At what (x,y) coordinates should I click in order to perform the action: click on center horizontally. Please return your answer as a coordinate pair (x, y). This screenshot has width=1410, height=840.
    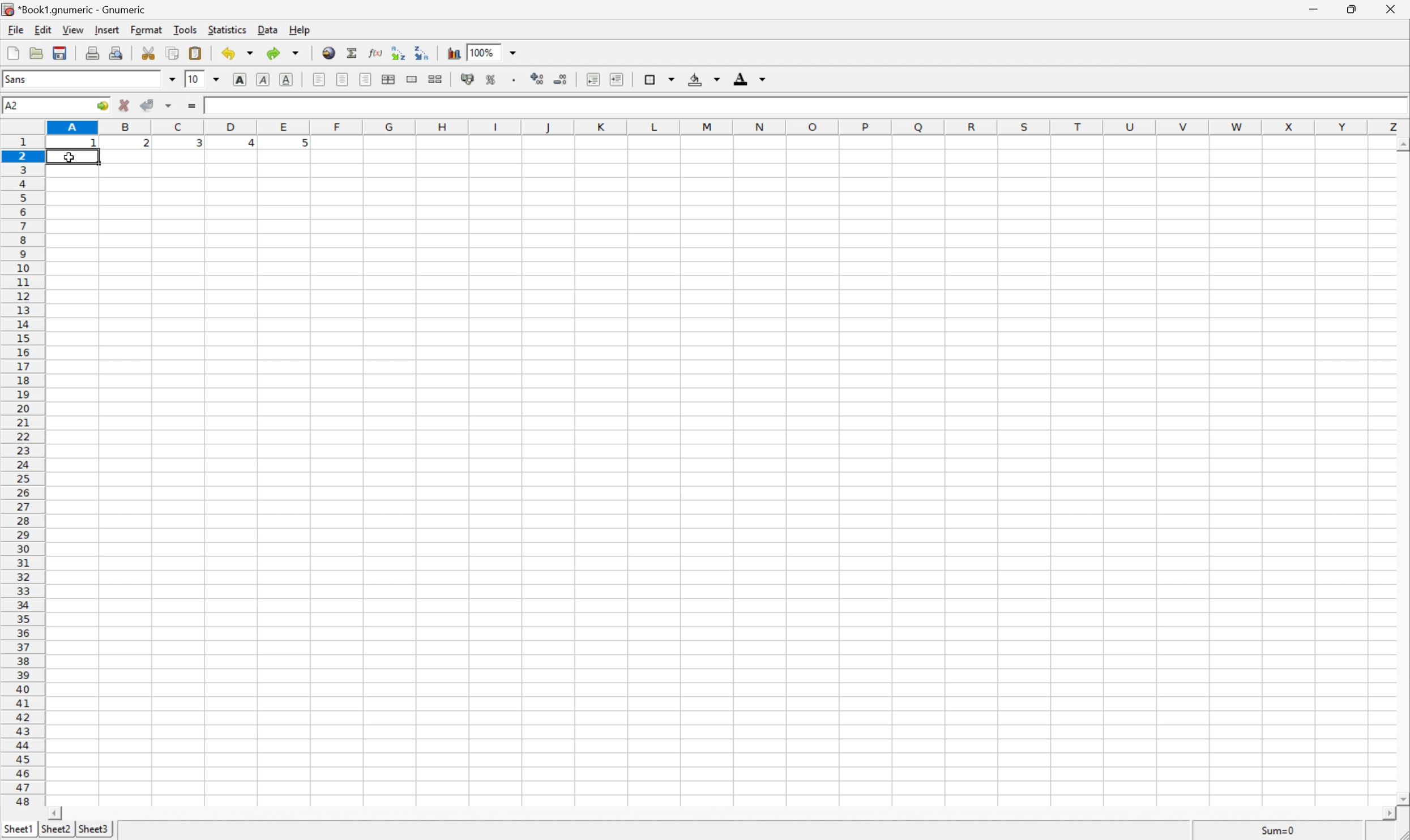
    Looking at the image, I should click on (344, 78).